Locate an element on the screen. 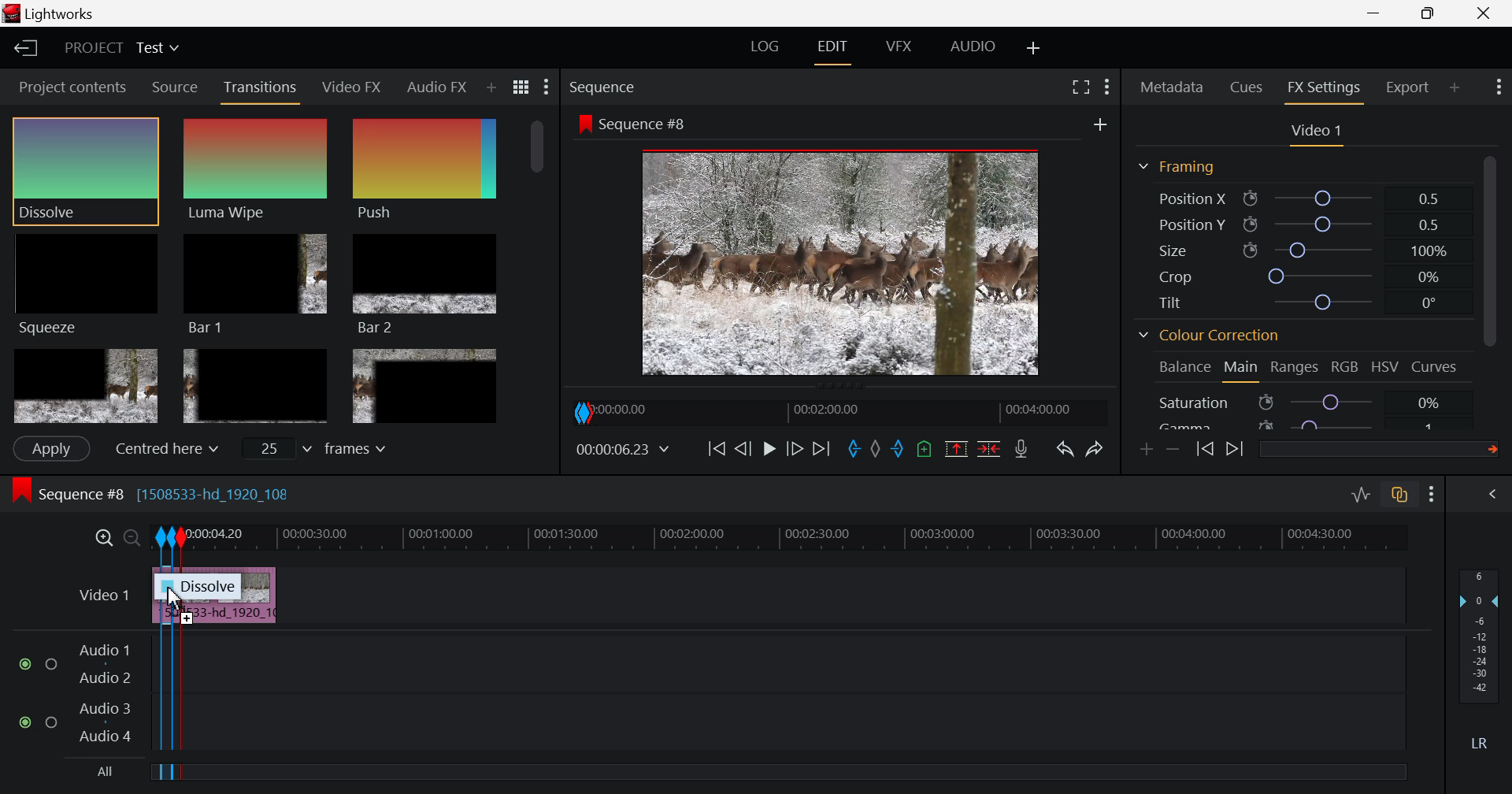 The image size is (1512, 794). Add Panel is located at coordinates (490, 89).